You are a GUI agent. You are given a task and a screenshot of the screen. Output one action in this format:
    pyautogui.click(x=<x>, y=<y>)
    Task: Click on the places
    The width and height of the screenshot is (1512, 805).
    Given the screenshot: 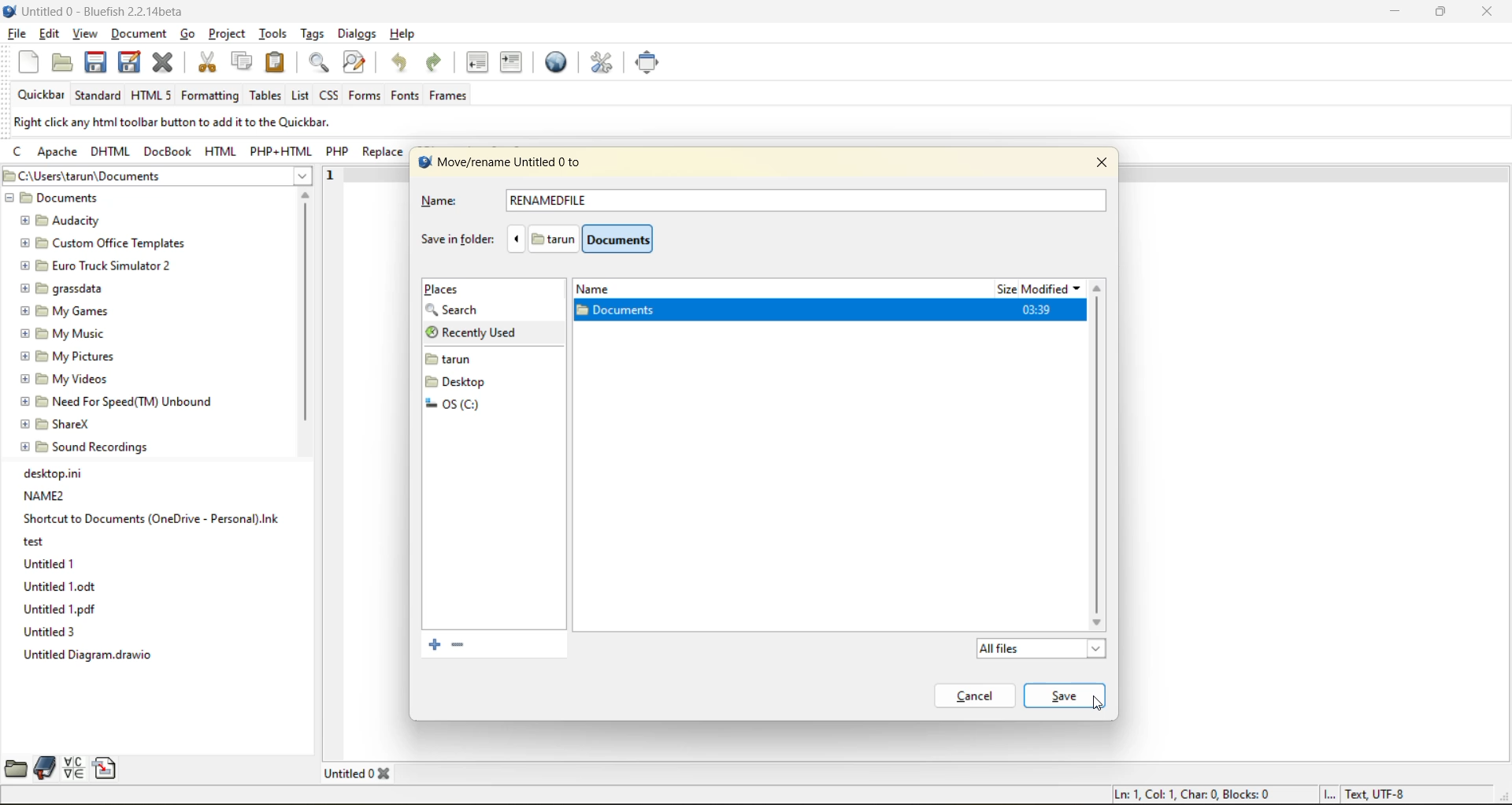 What is the action you would take?
    pyautogui.click(x=451, y=289)
    